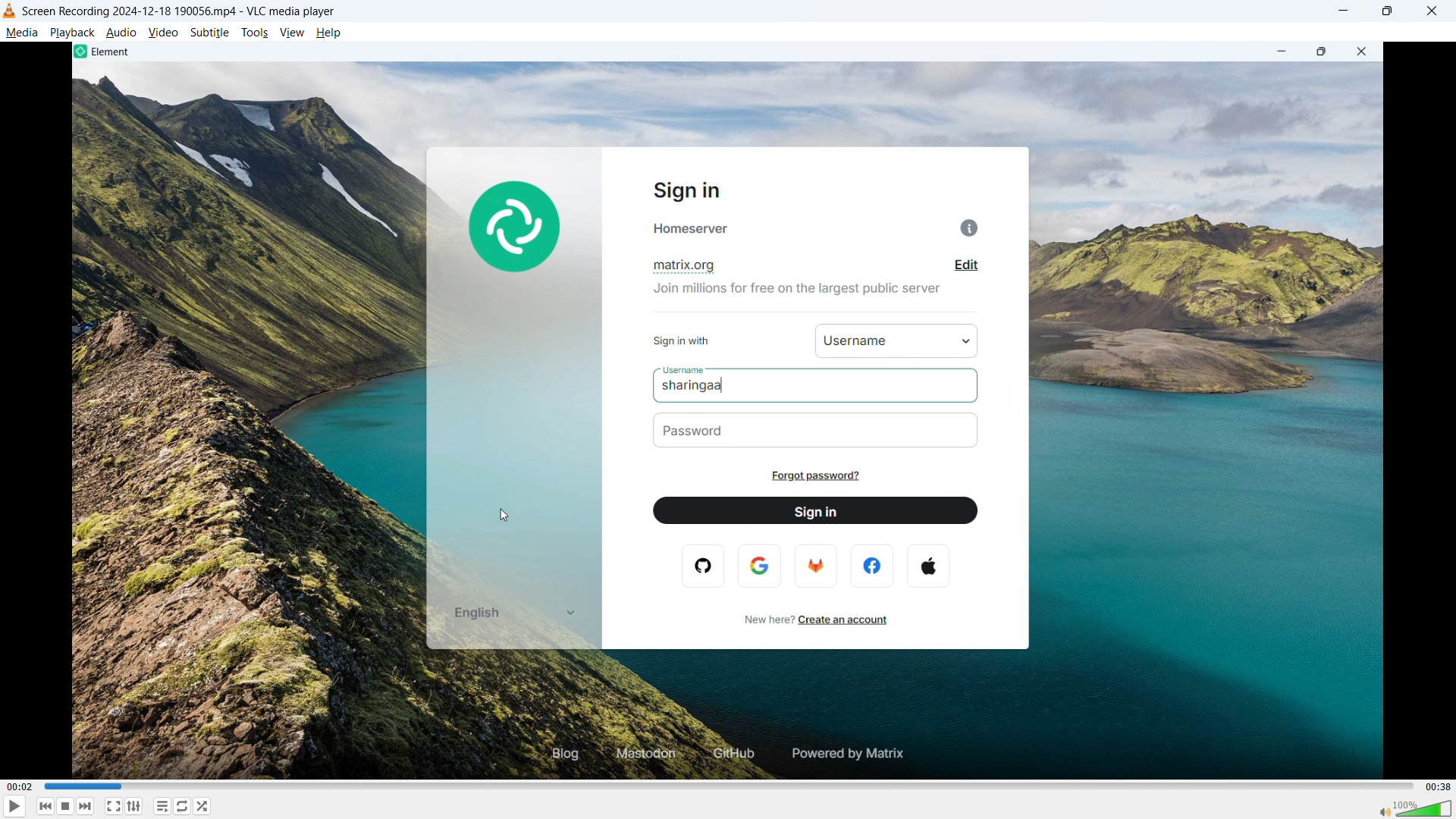 The width and height of the screenshot is (1456, 819). I want to click on matrix.org, so click(690, 265).